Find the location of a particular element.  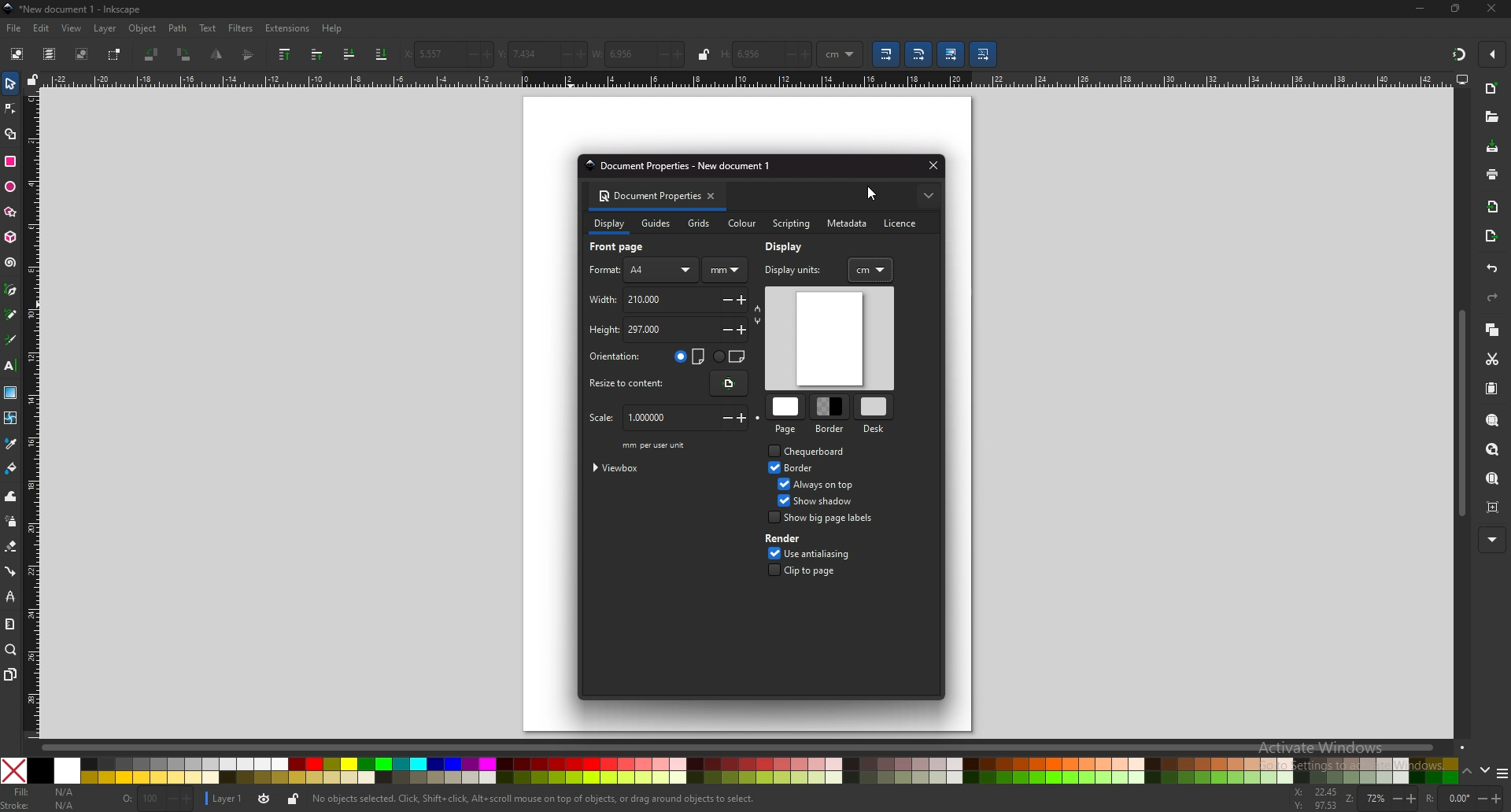

grids is located at coordinates (700, 223).